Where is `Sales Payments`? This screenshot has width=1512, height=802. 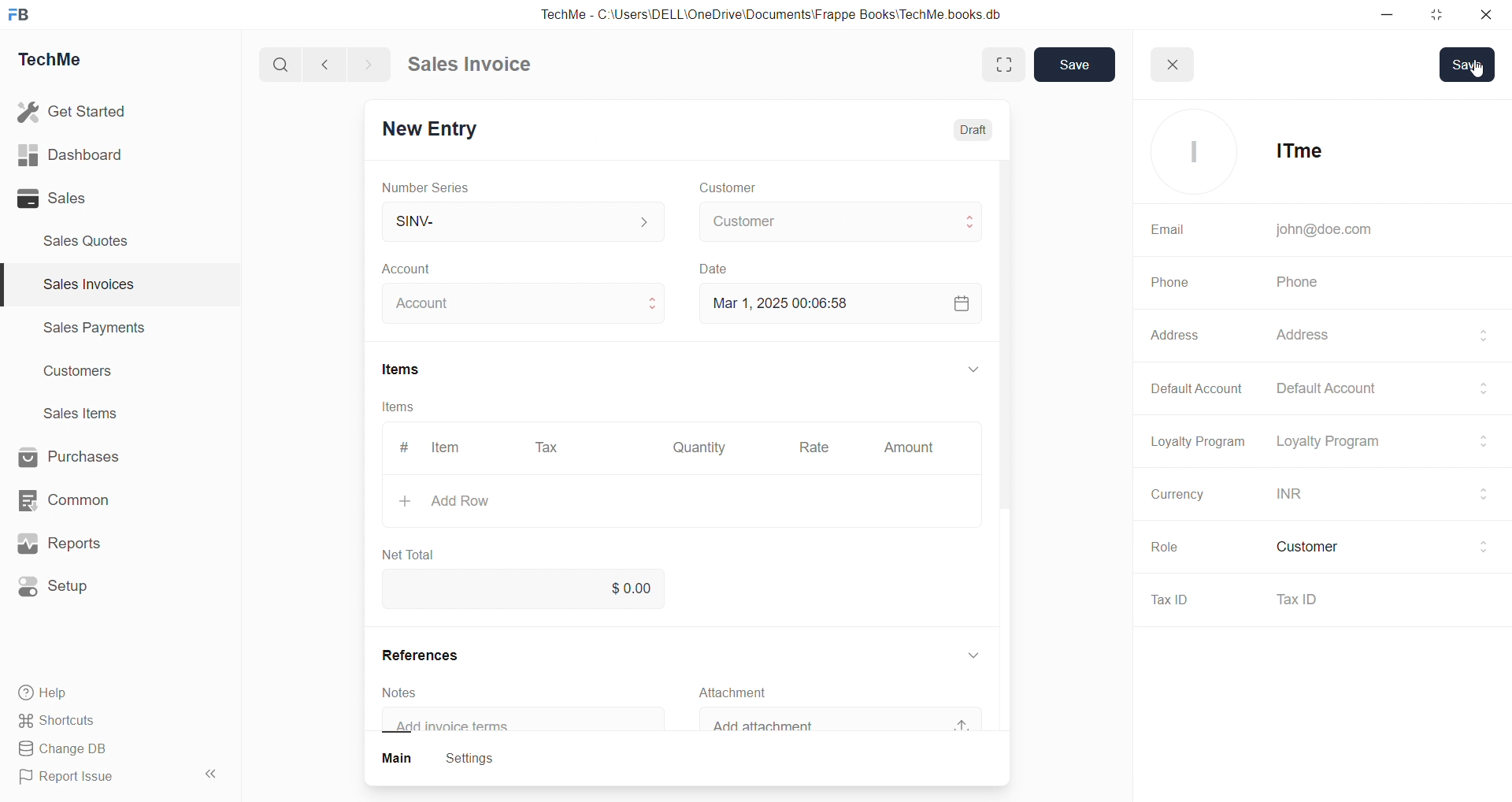
Sales Payments is located at coordinates (87, 330).